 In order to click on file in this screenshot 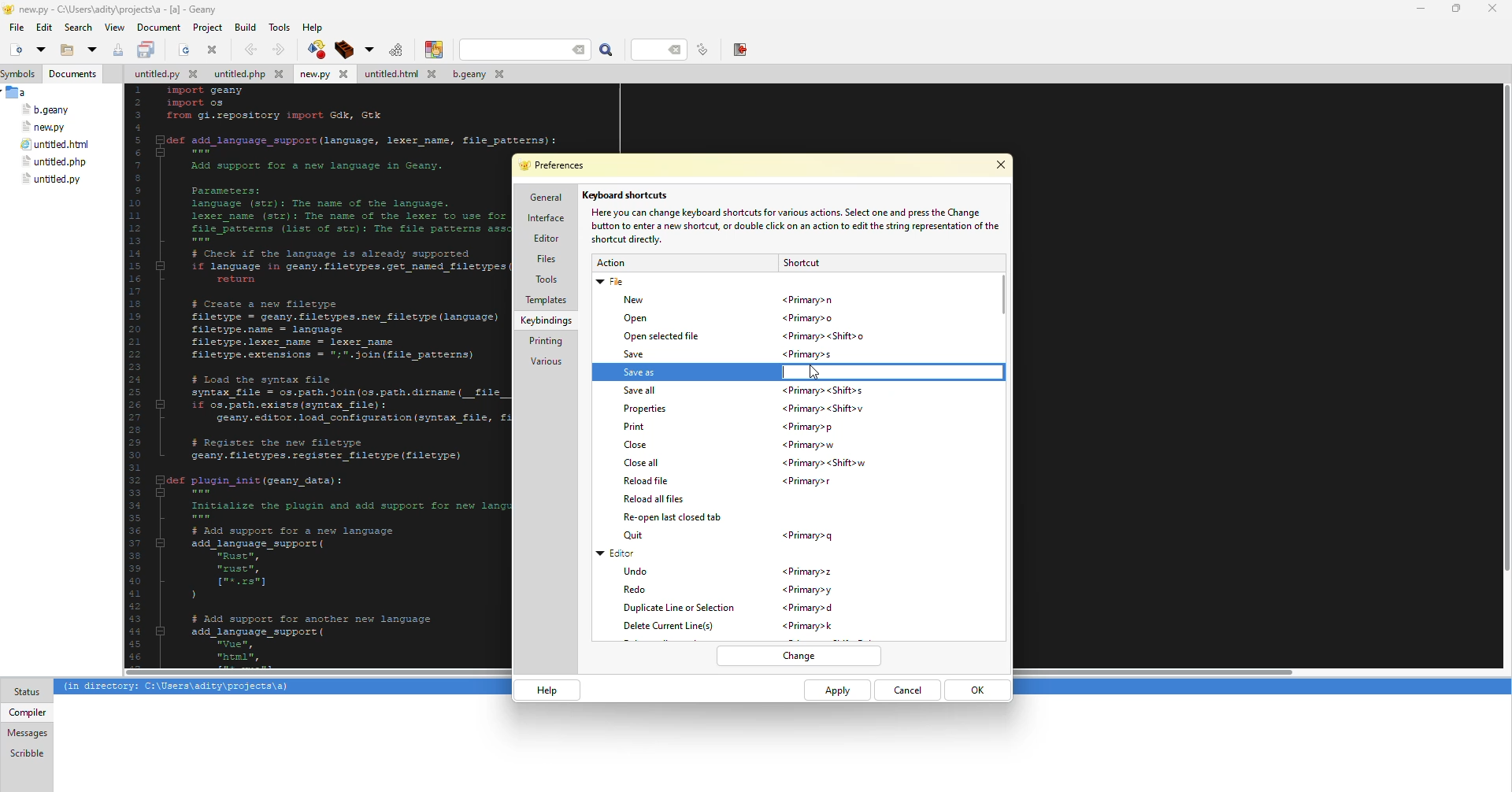, I will do `click(45, 127)`.